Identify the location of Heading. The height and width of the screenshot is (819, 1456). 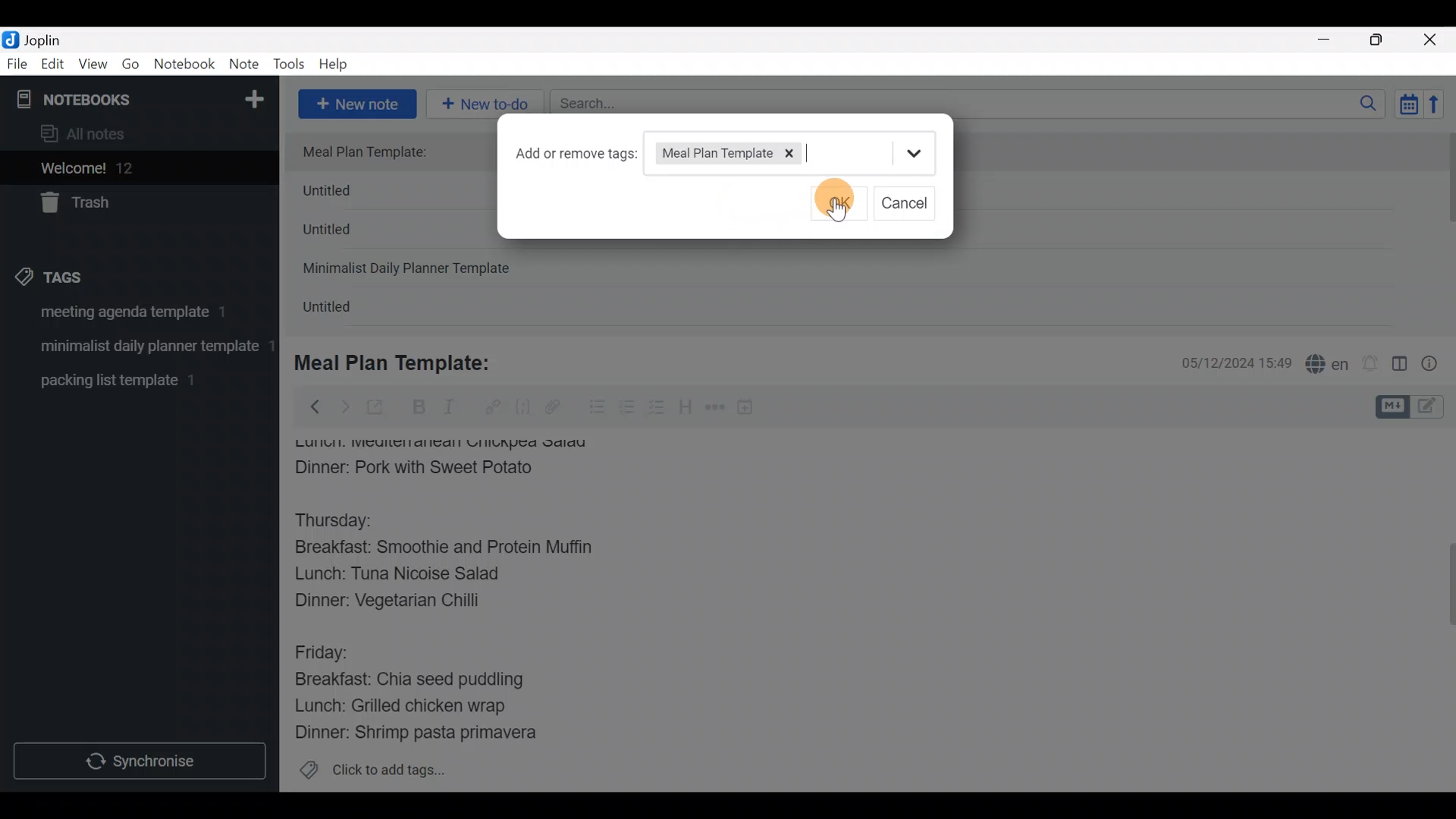
(686, 409).